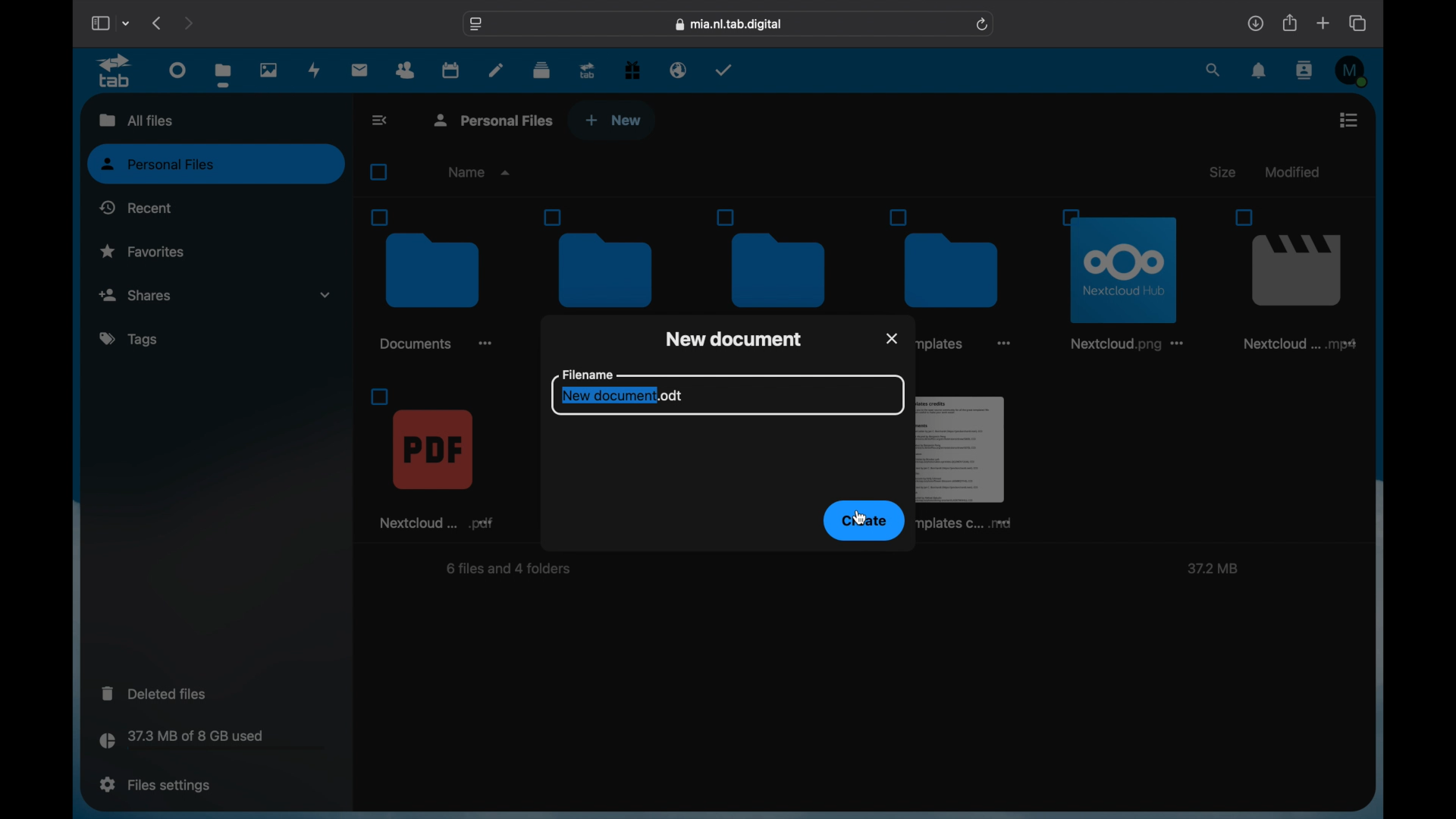 Image resolution: width=1456 pixels, height=819 pixels. Describe the element at coordinates (450, 69) in the screenshot. I see `calendar` at that location.